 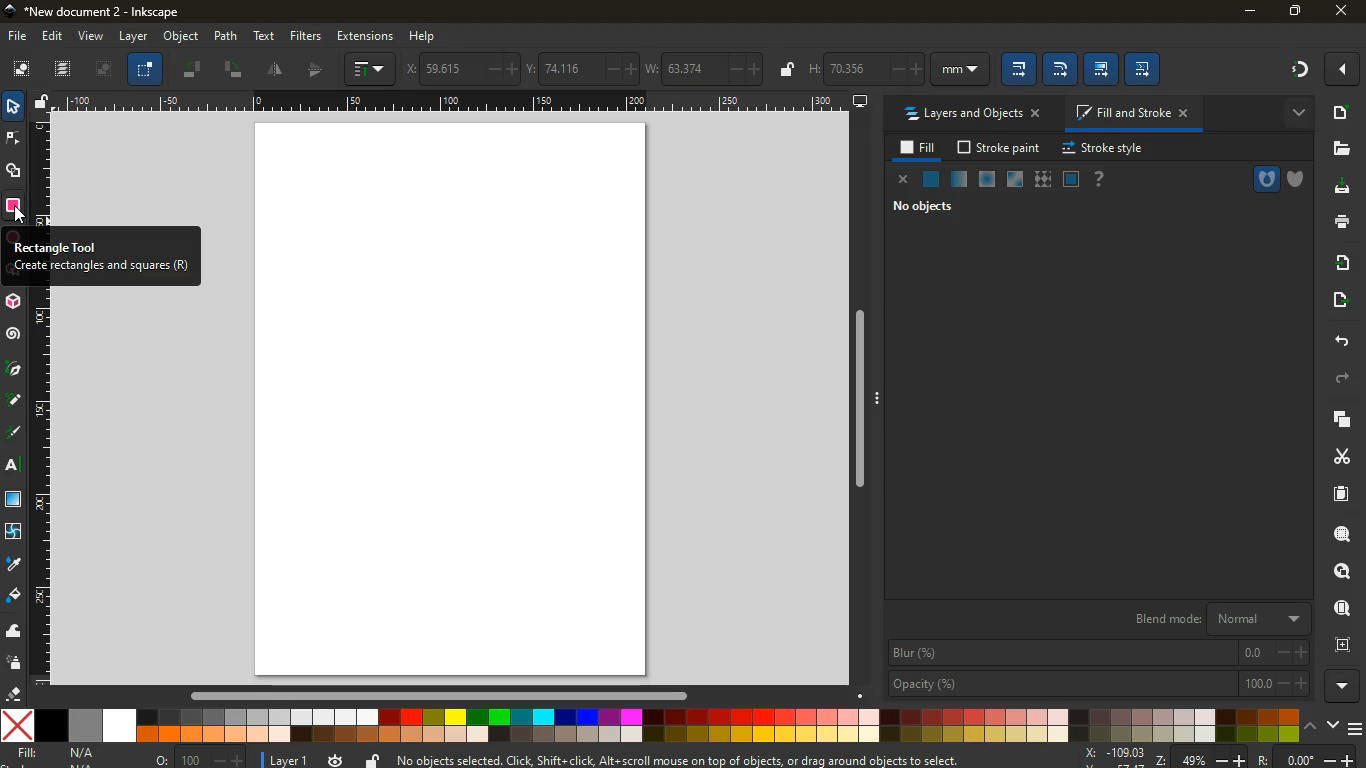 What do you see at coordinates (1002, 147) in the screenshot?
I see `stroke paint` at bounding box center [1002, 147].